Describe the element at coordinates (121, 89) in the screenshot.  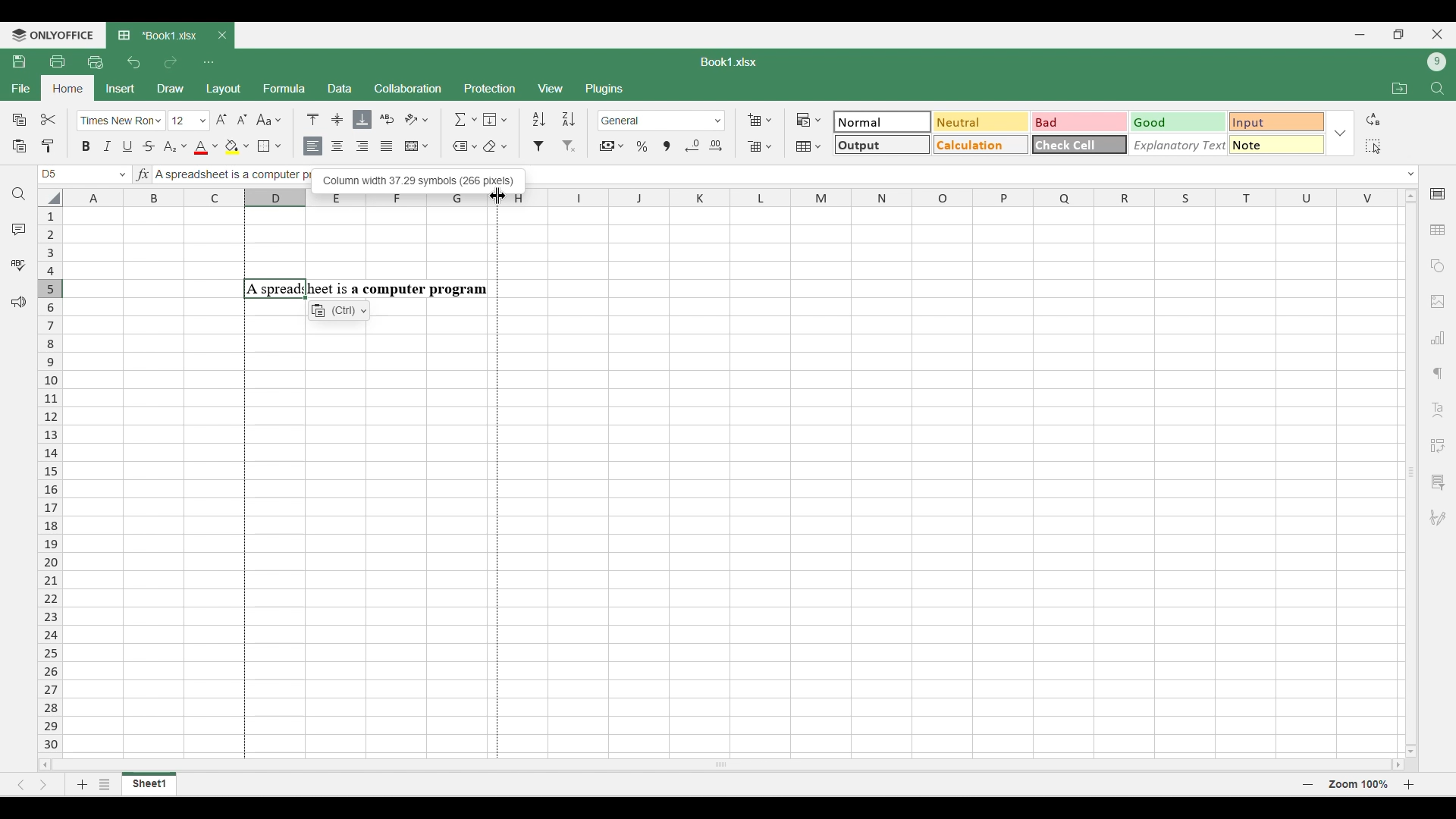
I see `Insert menu` at that location.